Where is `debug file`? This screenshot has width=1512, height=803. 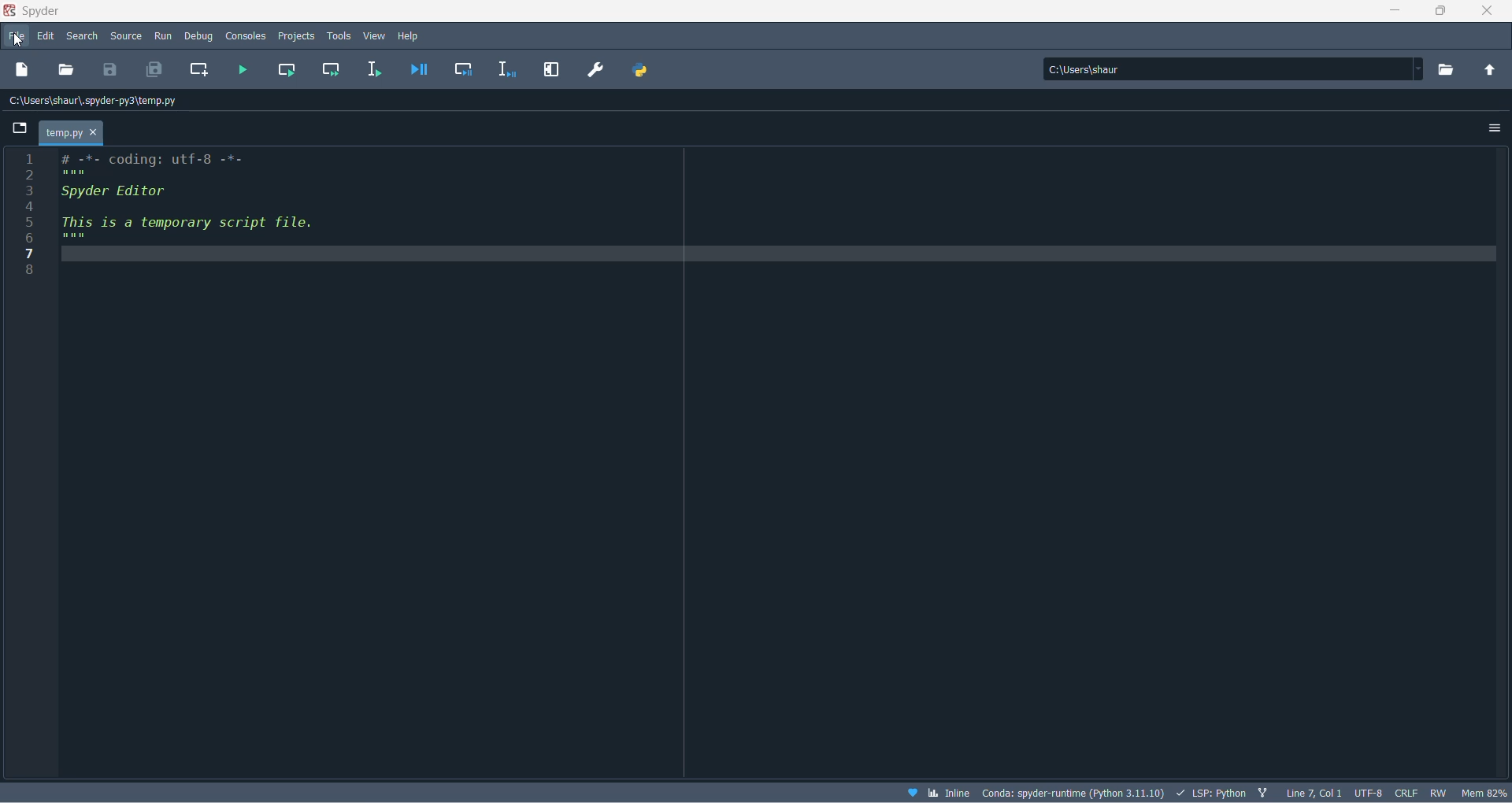 debug file is located at coordinates (419, 73).